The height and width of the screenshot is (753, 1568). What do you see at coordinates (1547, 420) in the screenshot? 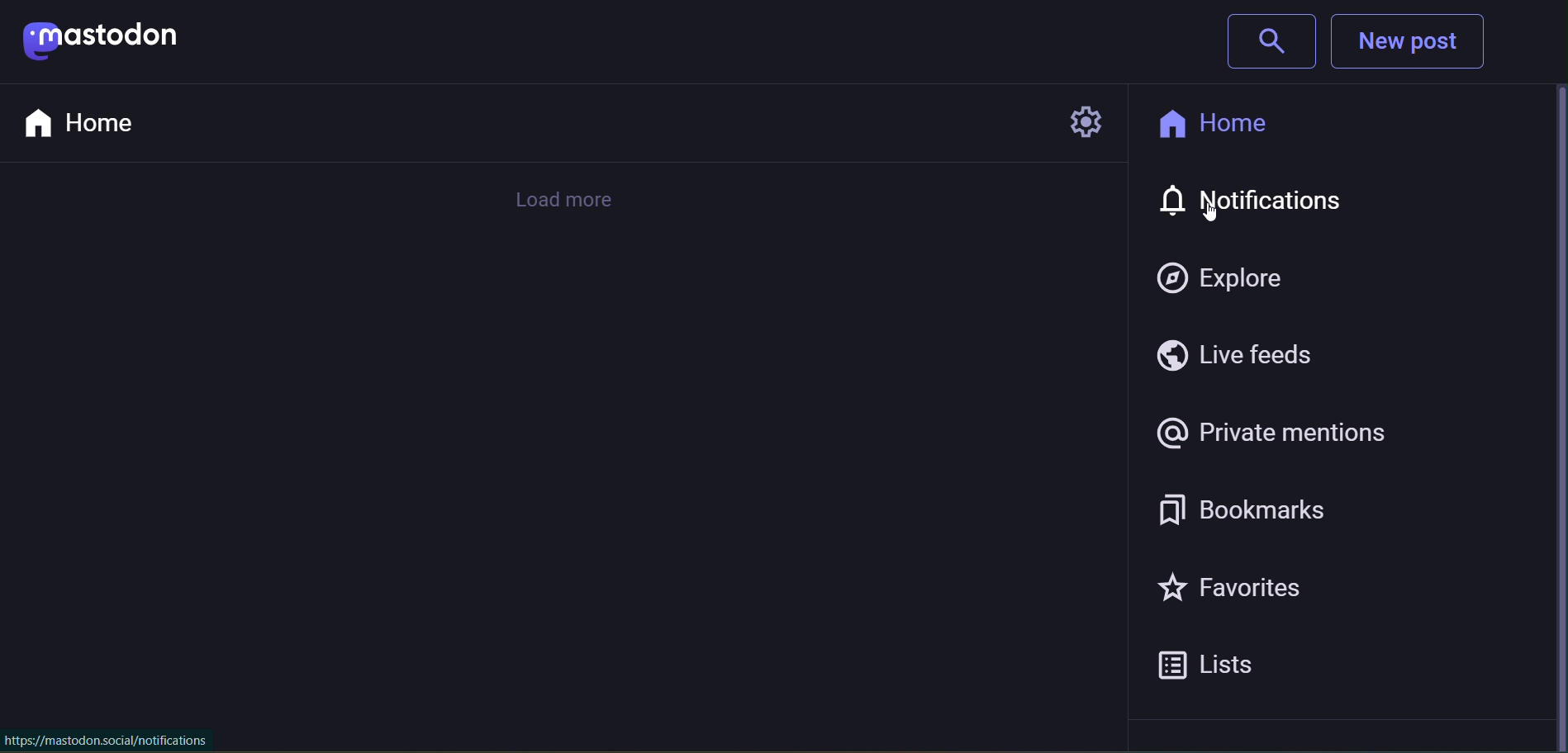
I see `scroll bar` at bounding box center [1547, 420].